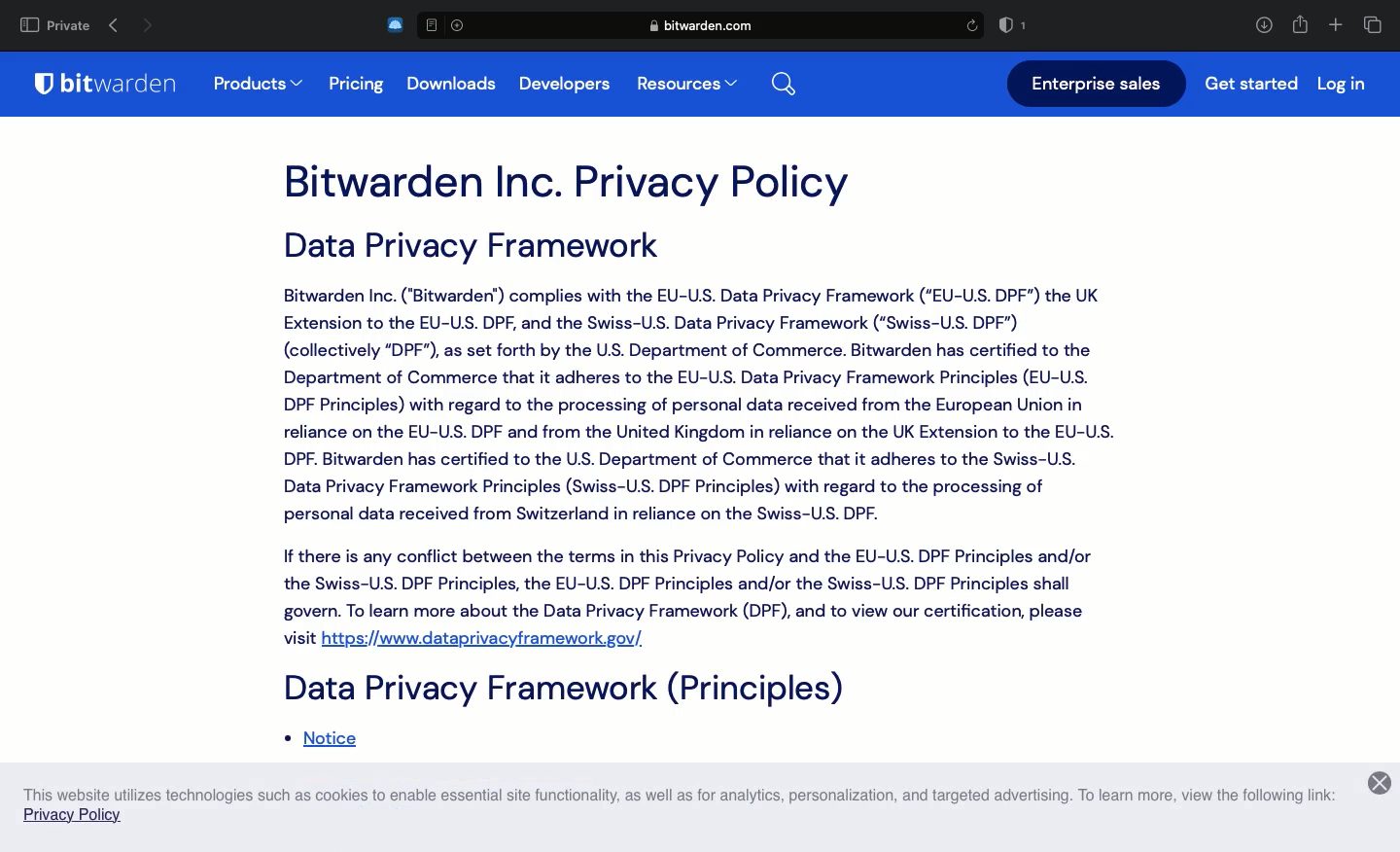 The height and width of the screenshot is (852, 1400). Describe the element at coordinates (113, 21) in the screenshot. I see `previous` at that location.